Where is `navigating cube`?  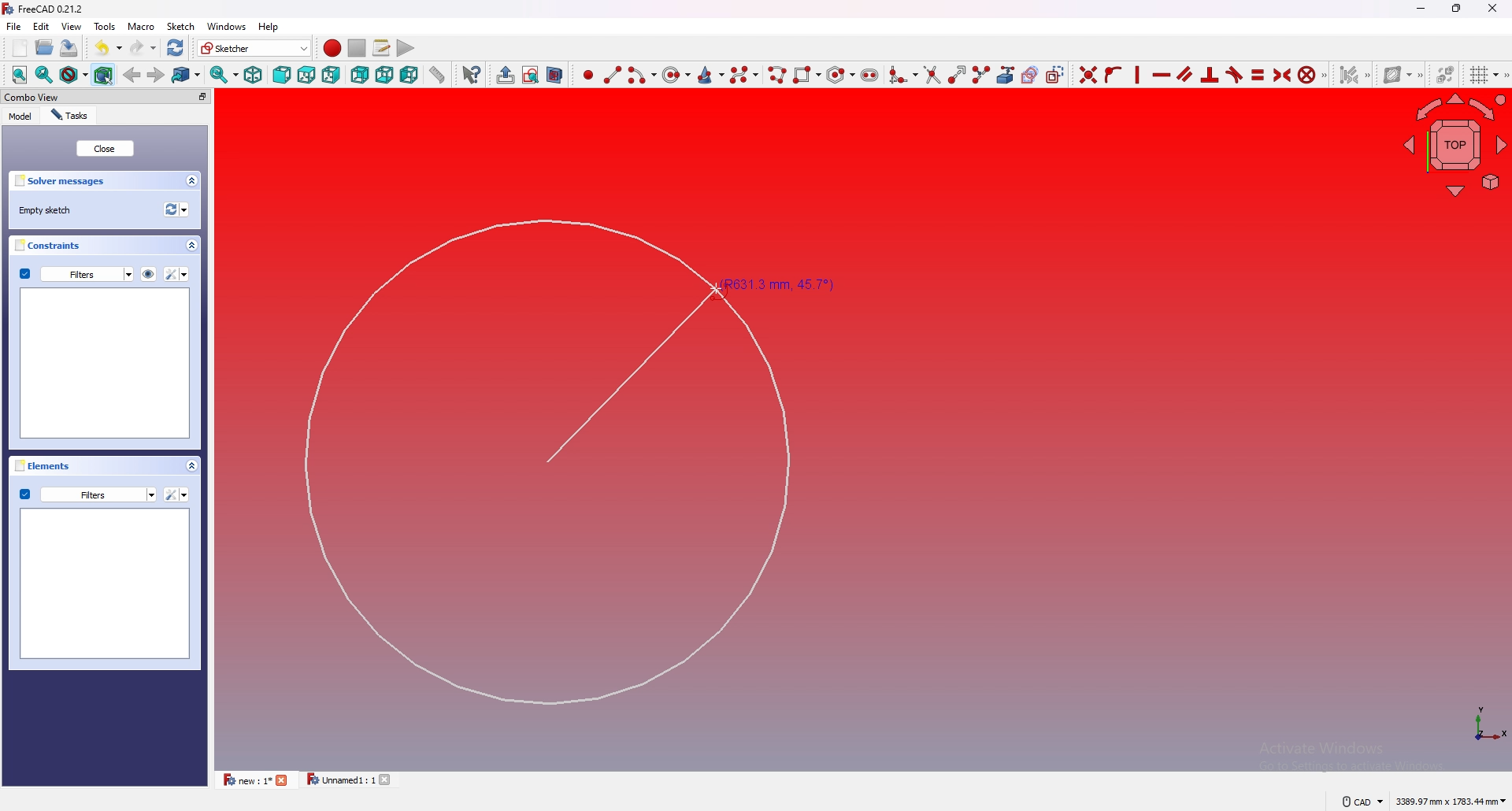 navigating cube is located at coordinates (1455, 143).